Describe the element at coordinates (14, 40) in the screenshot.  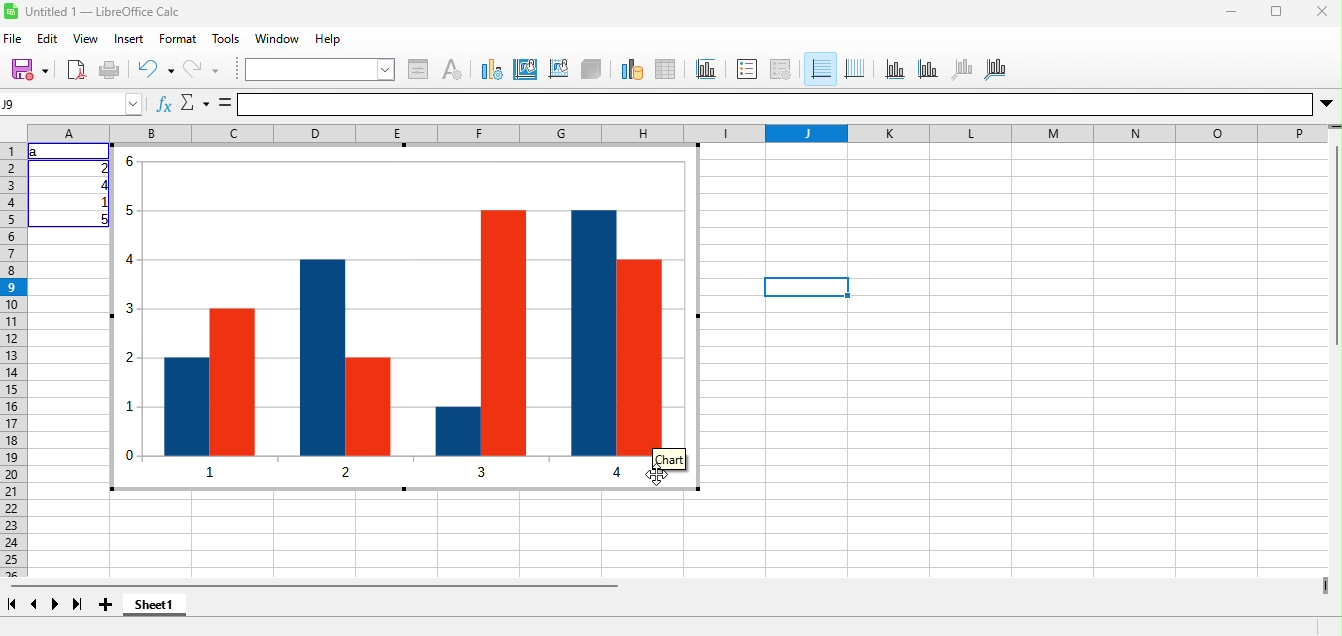
I see `file` at that location.